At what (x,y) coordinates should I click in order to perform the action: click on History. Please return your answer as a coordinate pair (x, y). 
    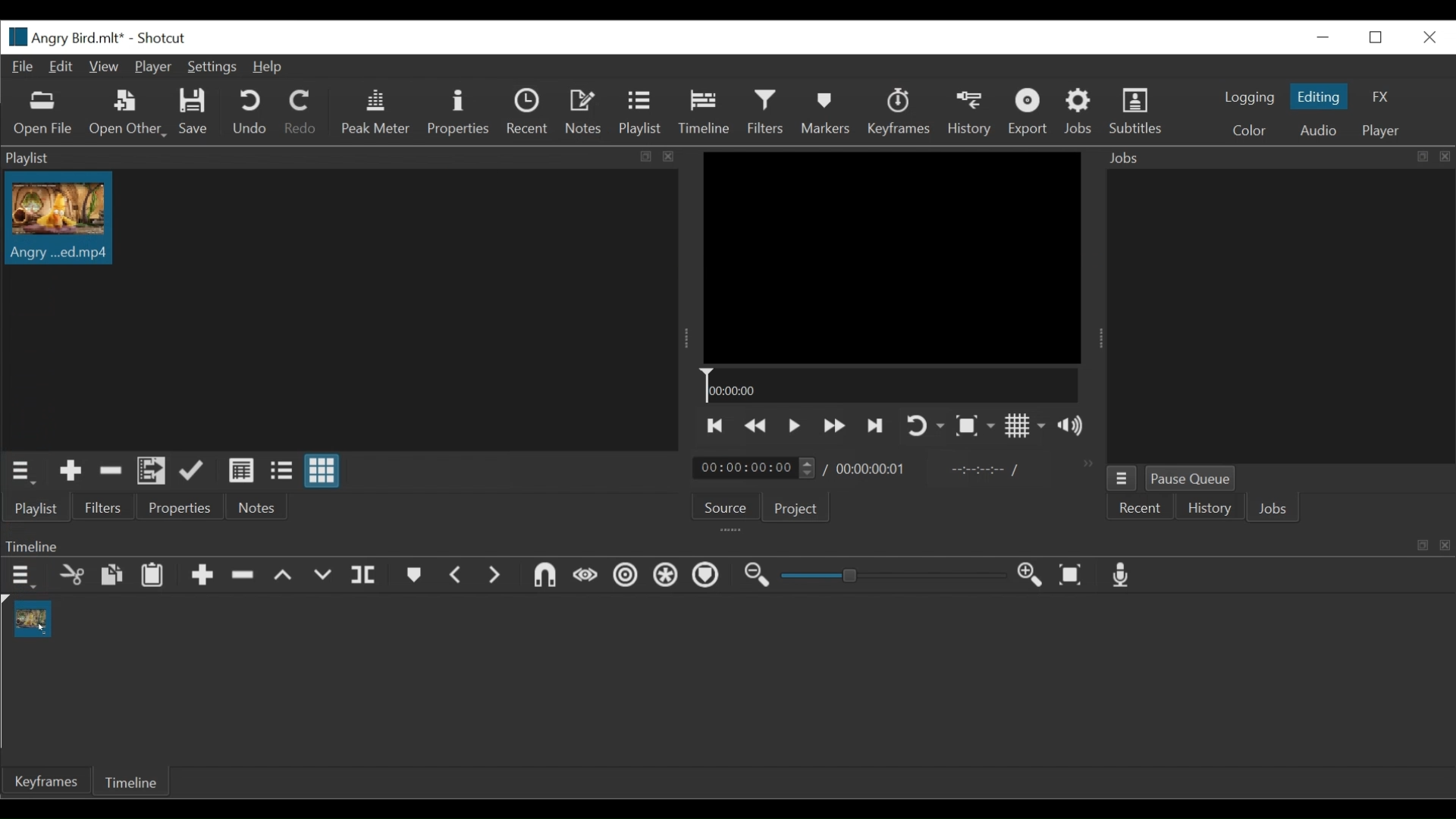
    Looking at the image, I should click on (971, 115).